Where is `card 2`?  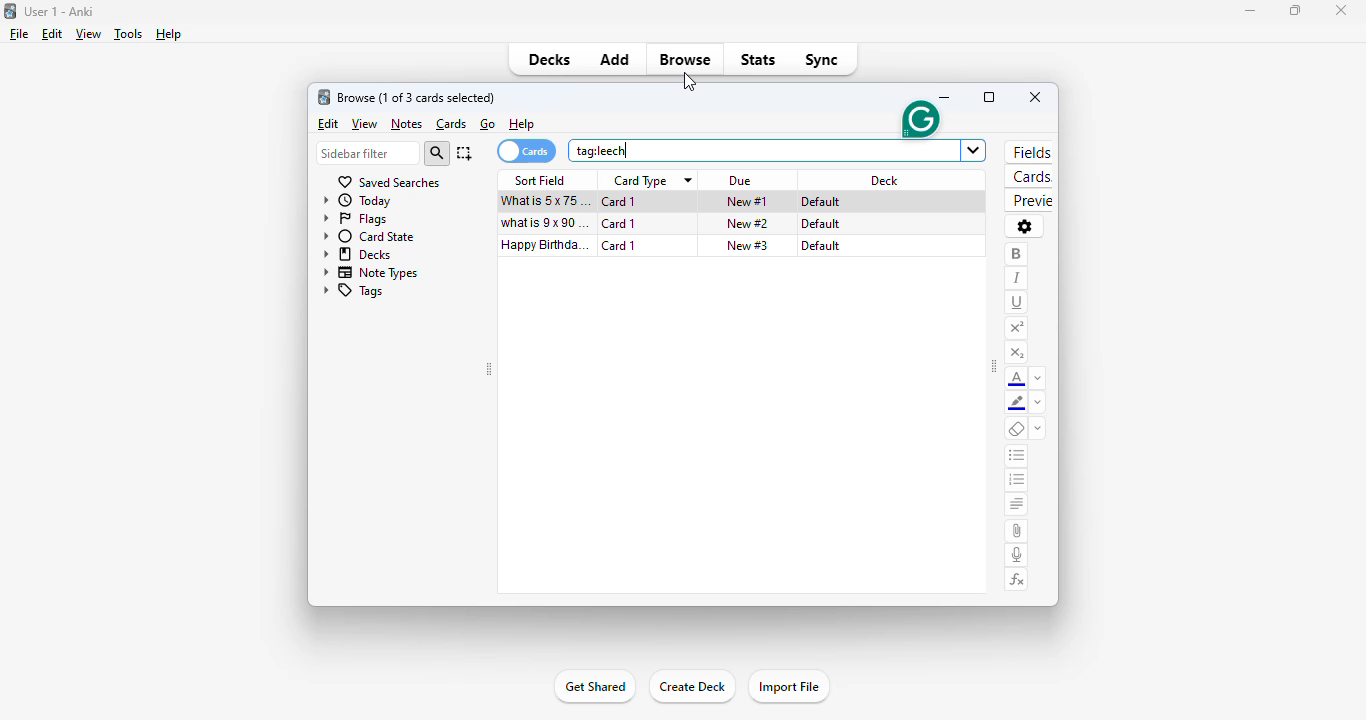
card 2 is located at coordinates (621, 246).